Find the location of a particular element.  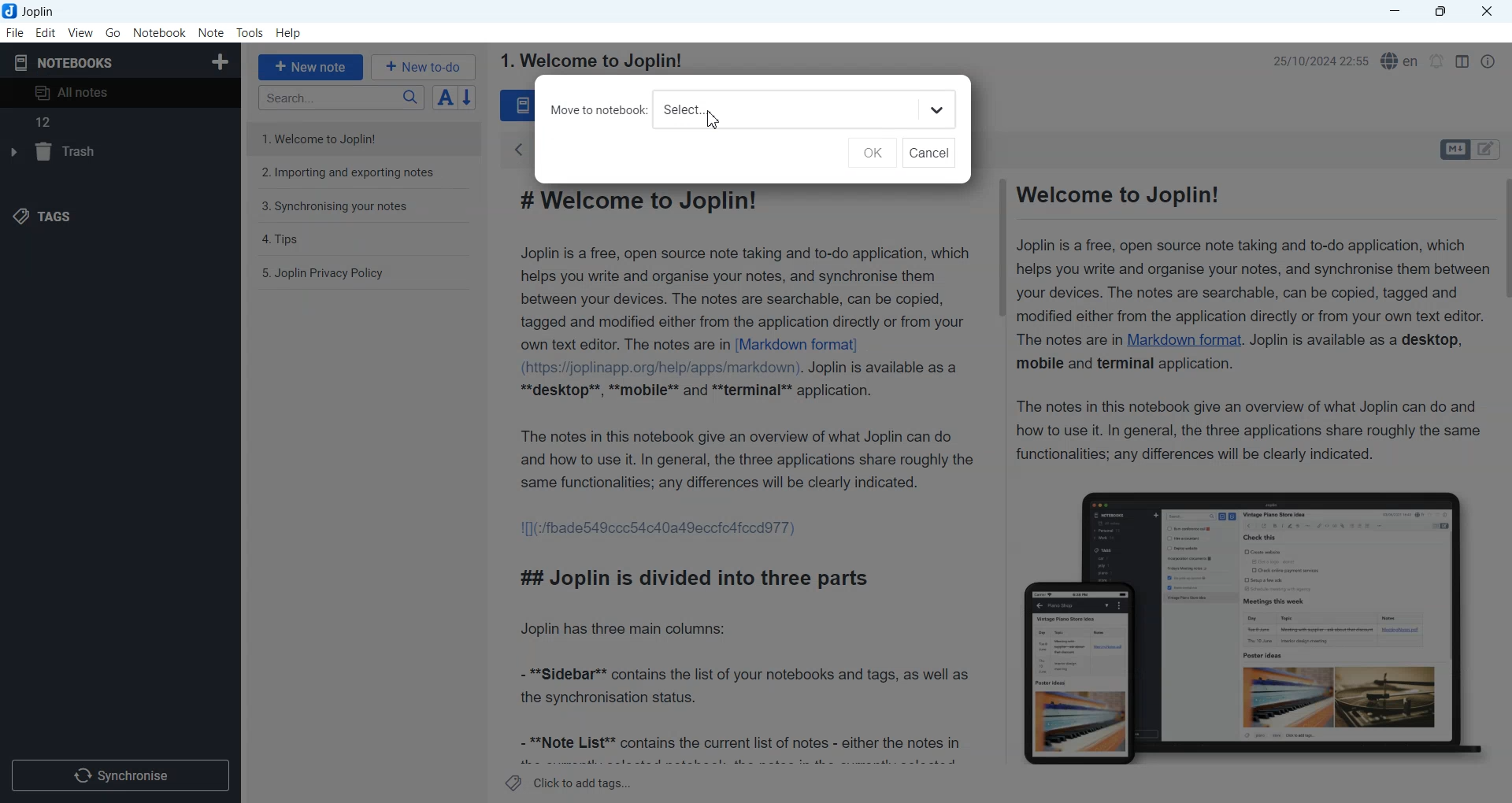

Create Notebook is located at coordinates (221, 60).